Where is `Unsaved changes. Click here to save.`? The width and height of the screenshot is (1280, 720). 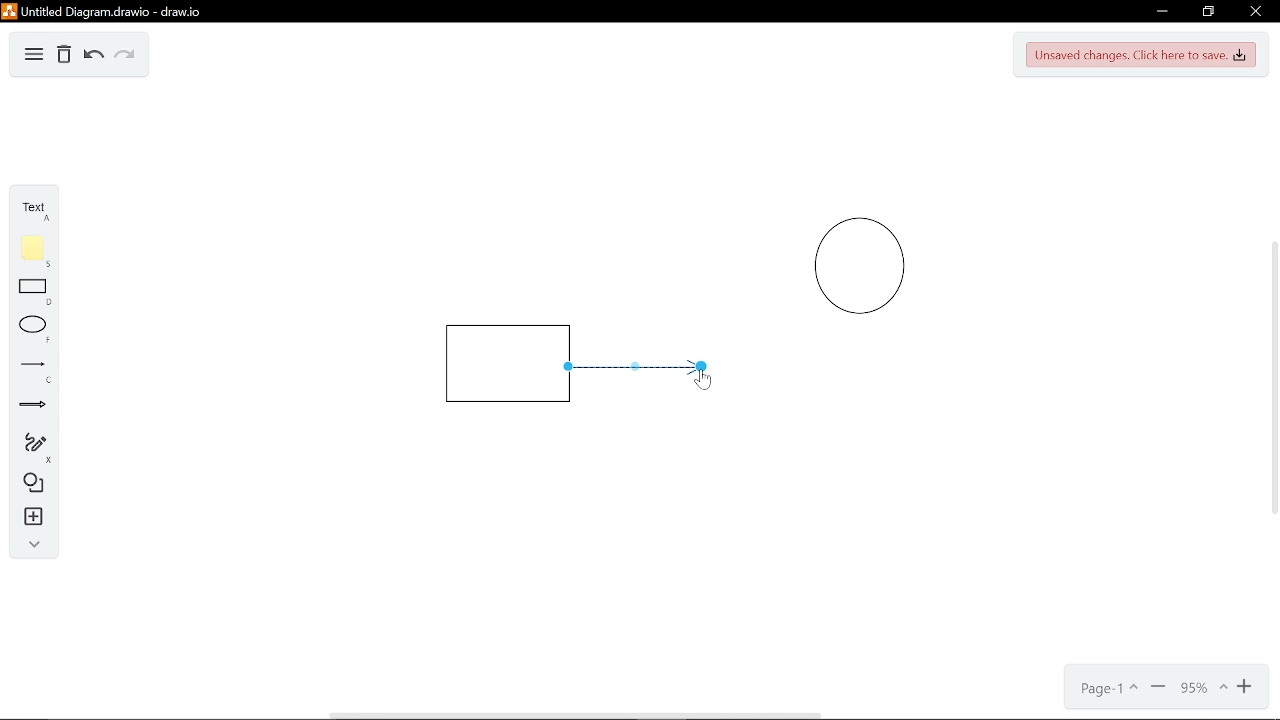 Unsaved changes. Click here to save. is located at coordinates (1140, 56).